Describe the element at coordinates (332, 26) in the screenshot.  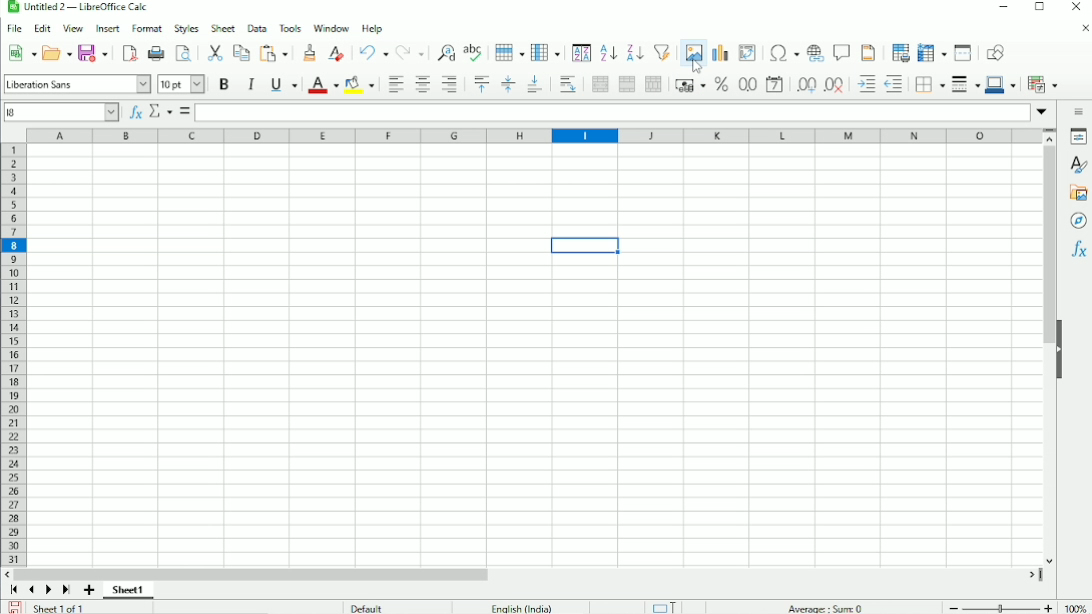
I see `Window` at that location.